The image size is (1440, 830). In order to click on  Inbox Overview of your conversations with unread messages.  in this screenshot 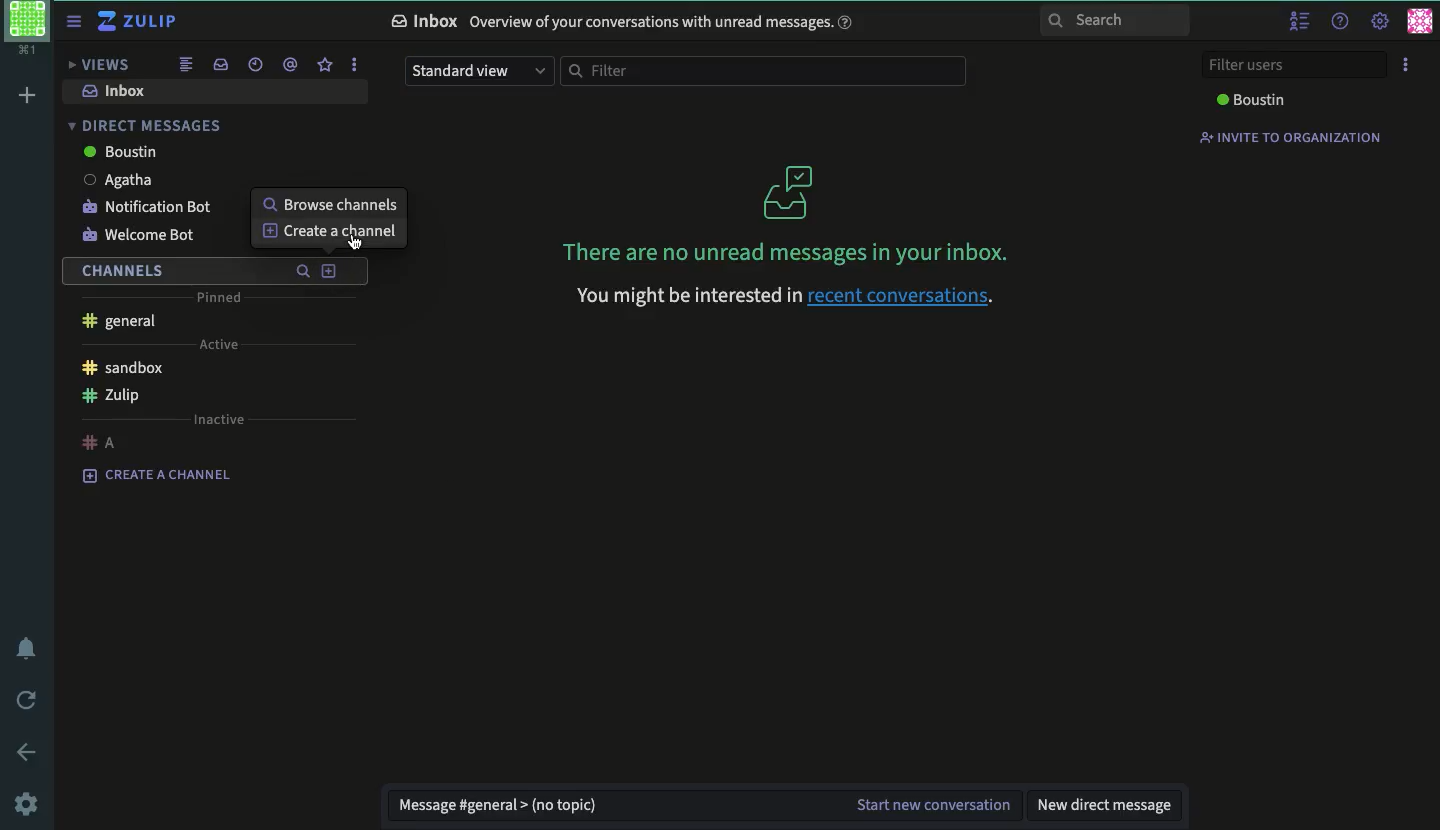, I will do `click(621, 24)`.